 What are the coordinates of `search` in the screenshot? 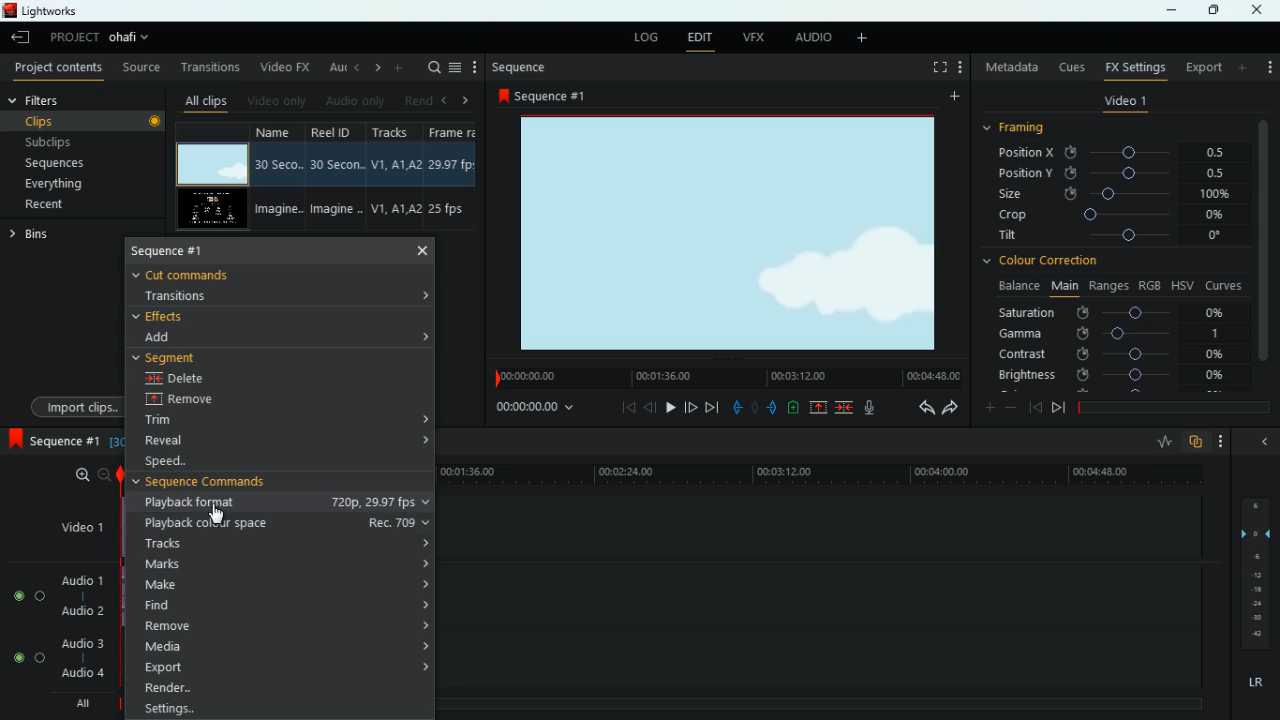 It's located at (427, 67).